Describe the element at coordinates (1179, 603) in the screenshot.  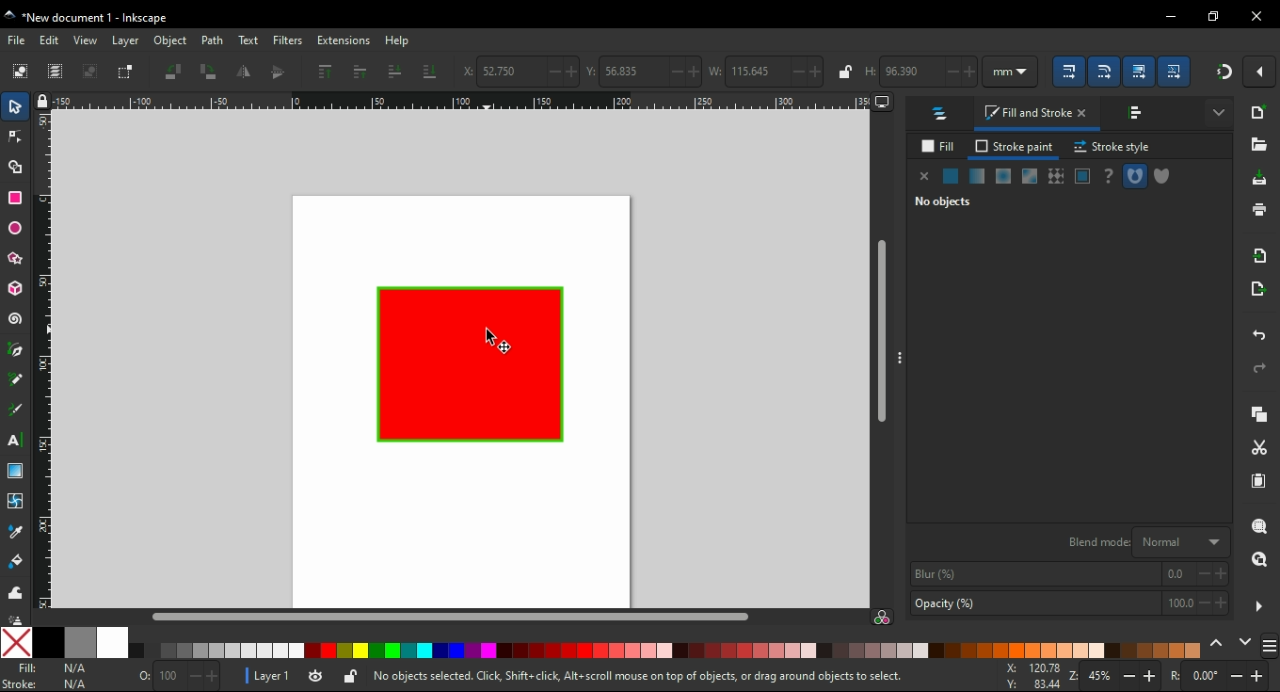
I see `100` at that location.